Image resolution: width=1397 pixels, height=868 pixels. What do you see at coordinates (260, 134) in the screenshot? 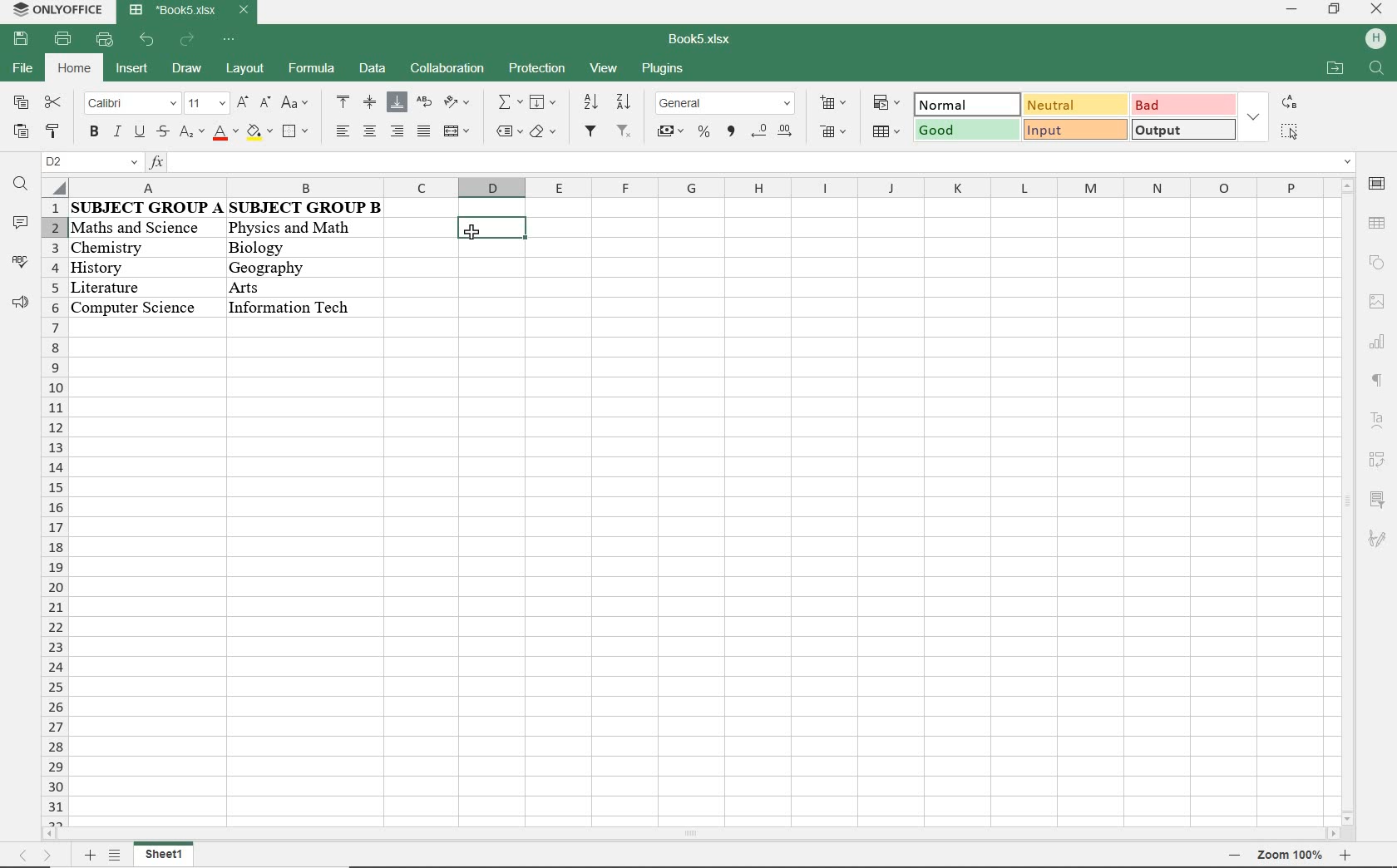
I see `fill color` at bounding box center [260, 134].